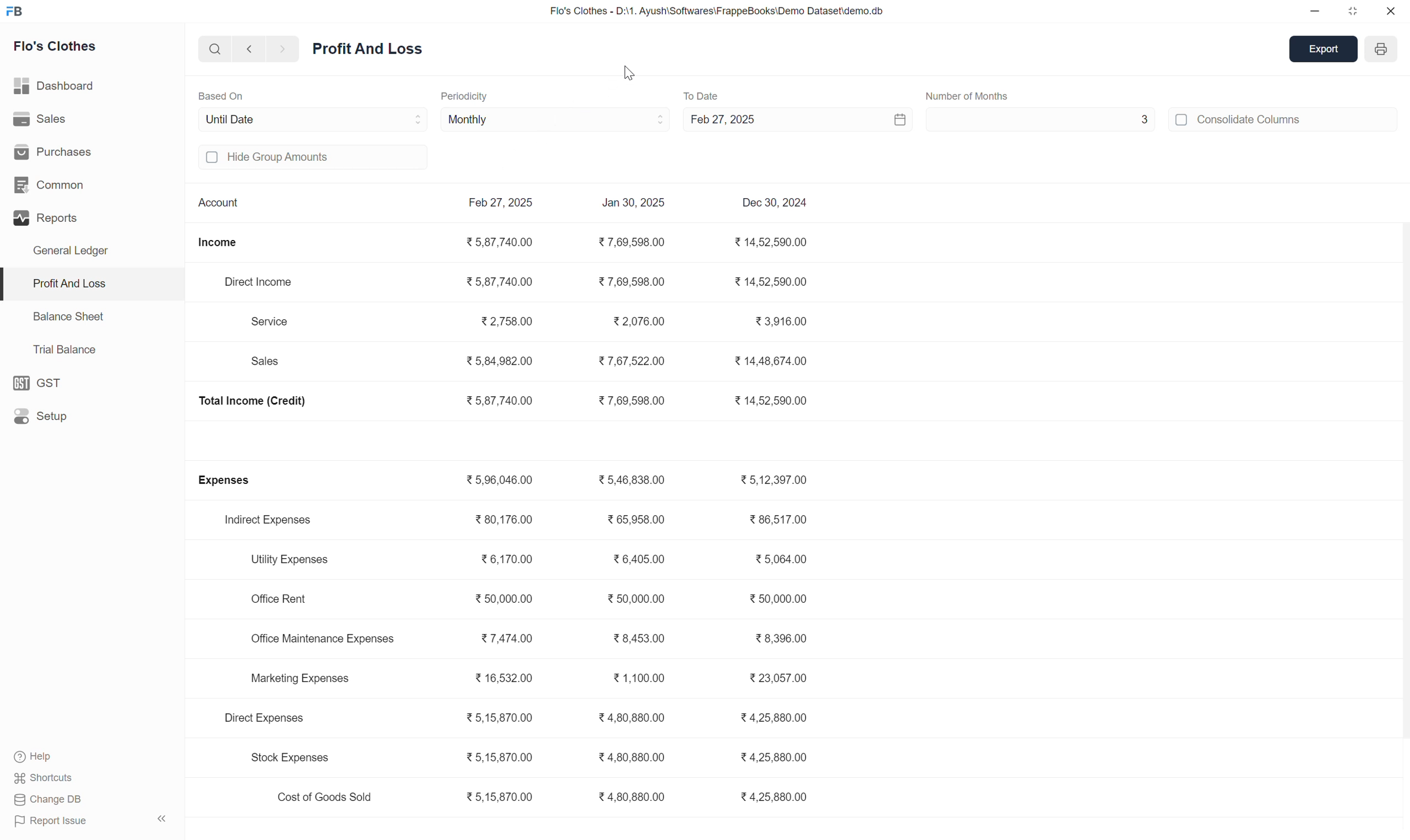  I want to click on "Based On" dropdown, so click(366, 121).